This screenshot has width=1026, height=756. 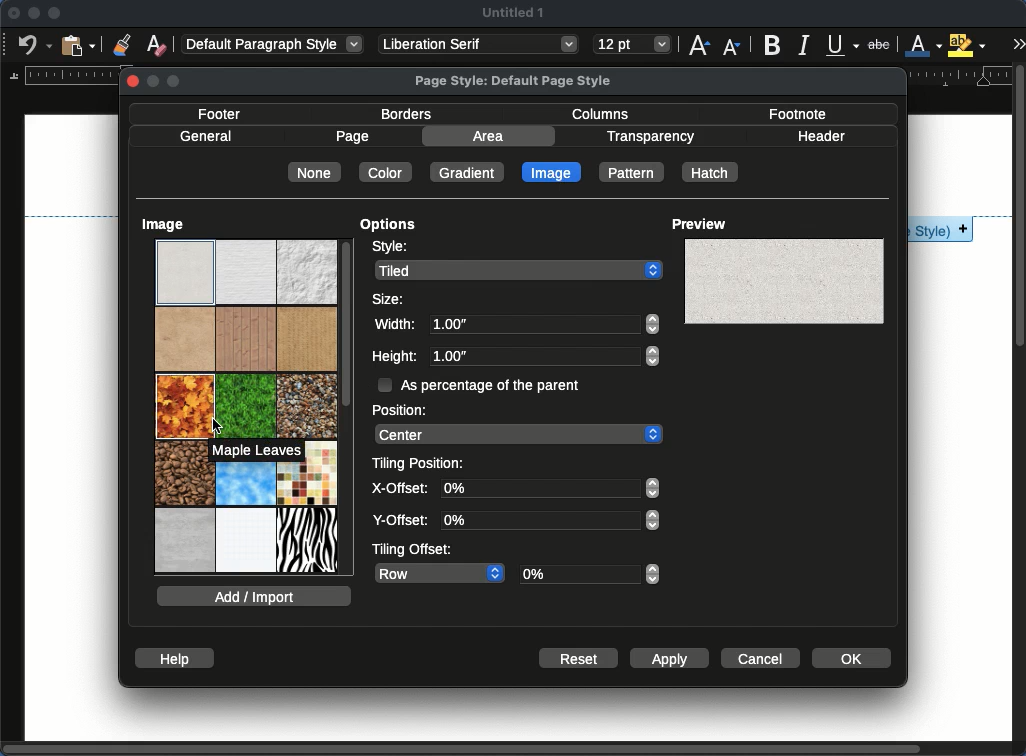 What do you see at coordinates (215, 425) in the screenshot?
I see `Cursor` at bounding box center [215, 425].